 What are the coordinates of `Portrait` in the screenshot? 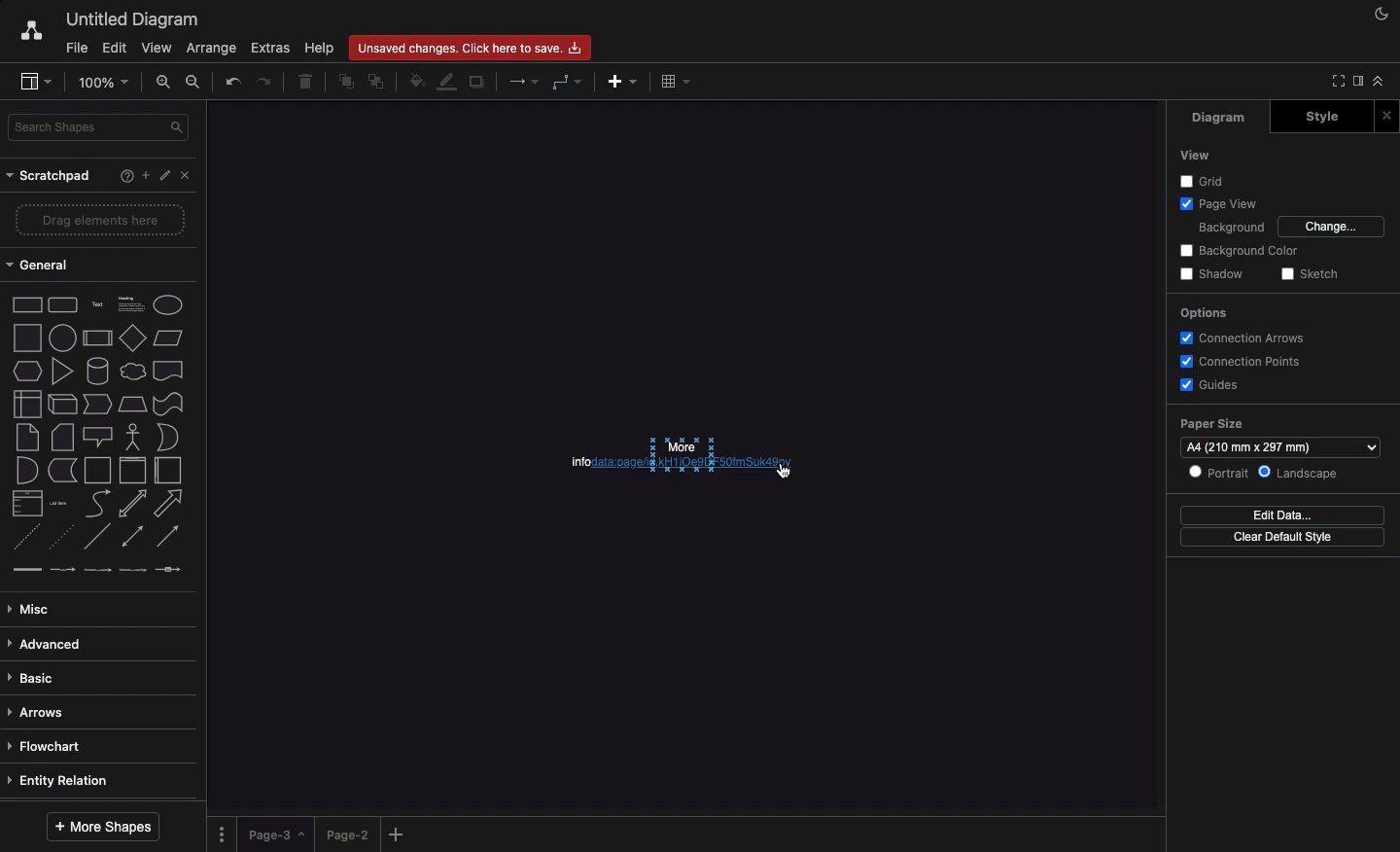 It's located at (1219, 473).